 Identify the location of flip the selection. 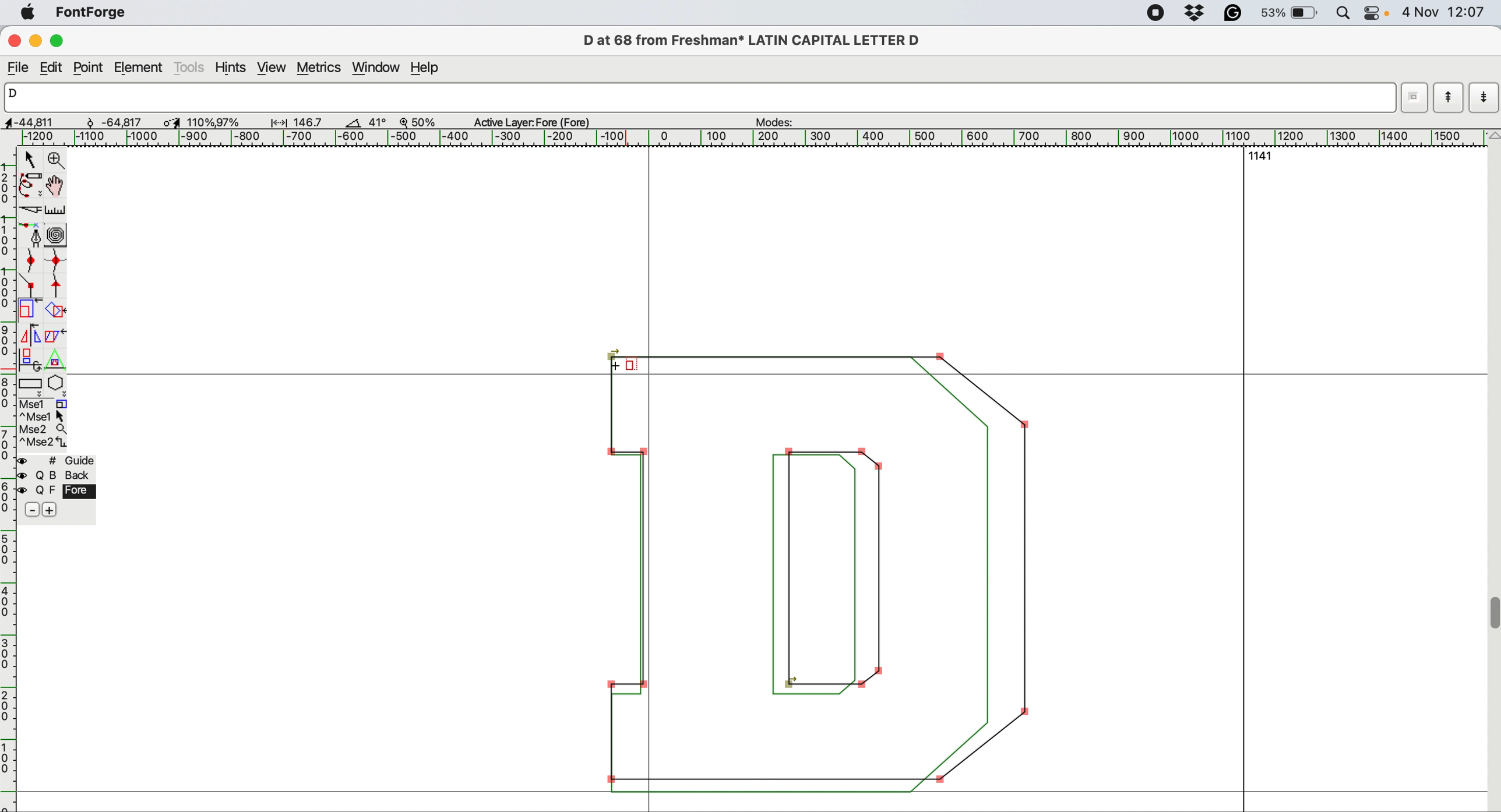
(31, 336).